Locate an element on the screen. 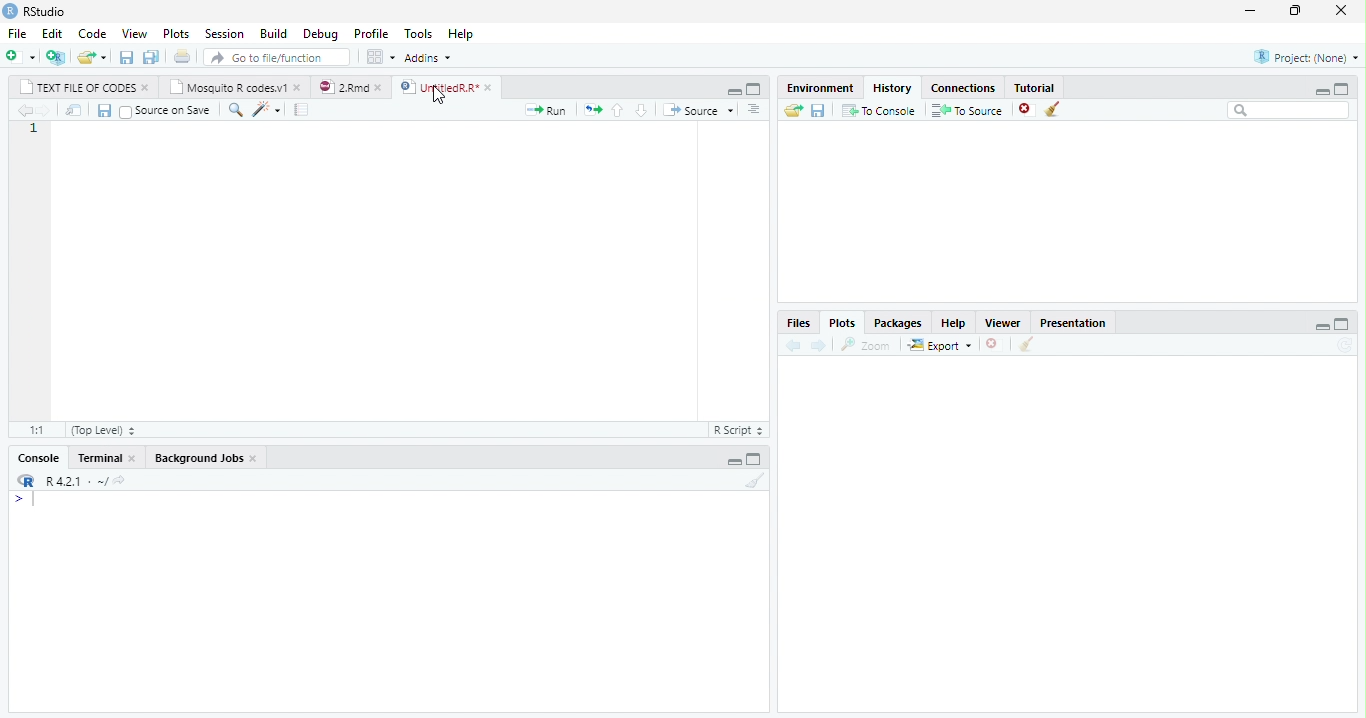 The width and height of the screenshot is (1366, 718). presentation is located at coordinates (1083, 321).